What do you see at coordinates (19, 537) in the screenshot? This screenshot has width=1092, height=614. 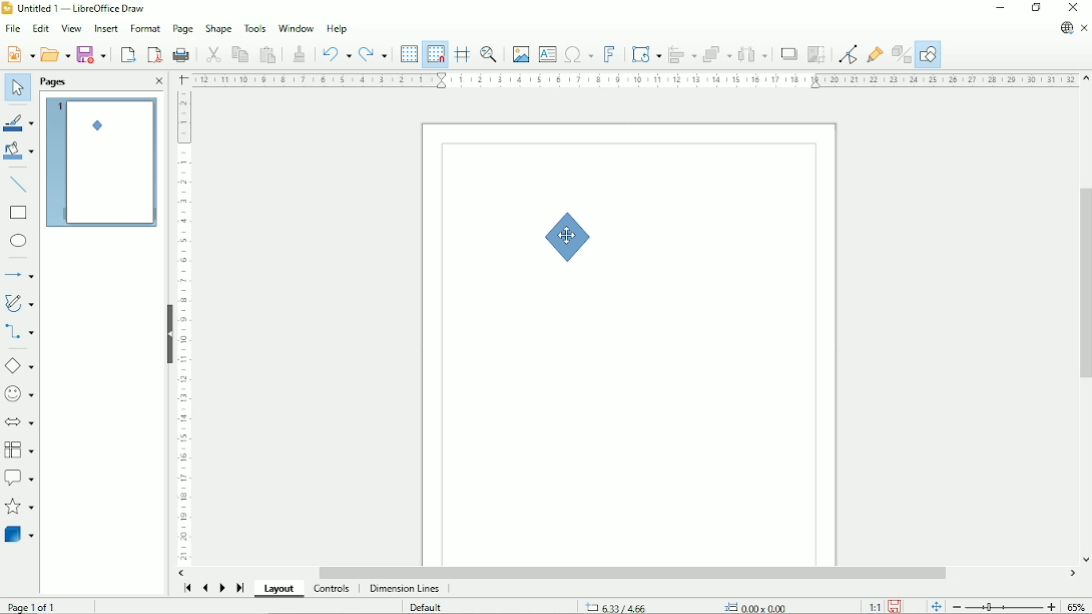 I see `3D objects` at bounding box center [19, 537].